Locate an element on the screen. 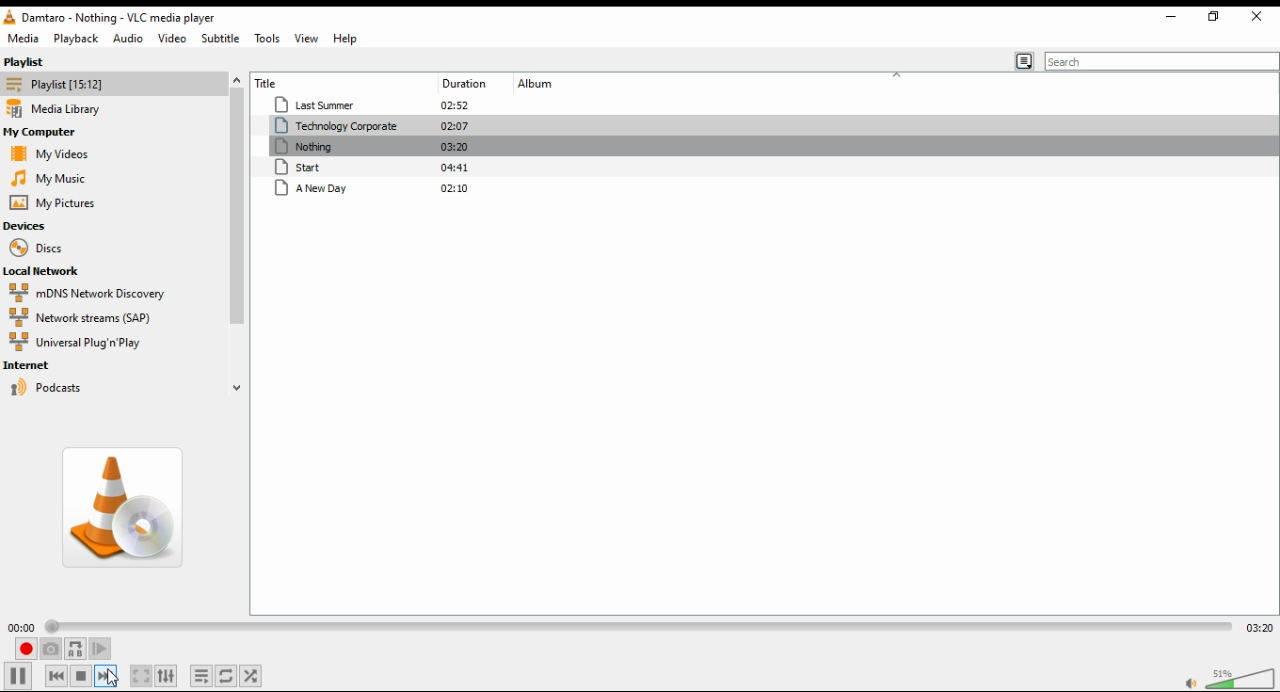 The height and width of the screenshot is (692, 1280). toggle video in fullscreen is located at coordinates (140, 675).